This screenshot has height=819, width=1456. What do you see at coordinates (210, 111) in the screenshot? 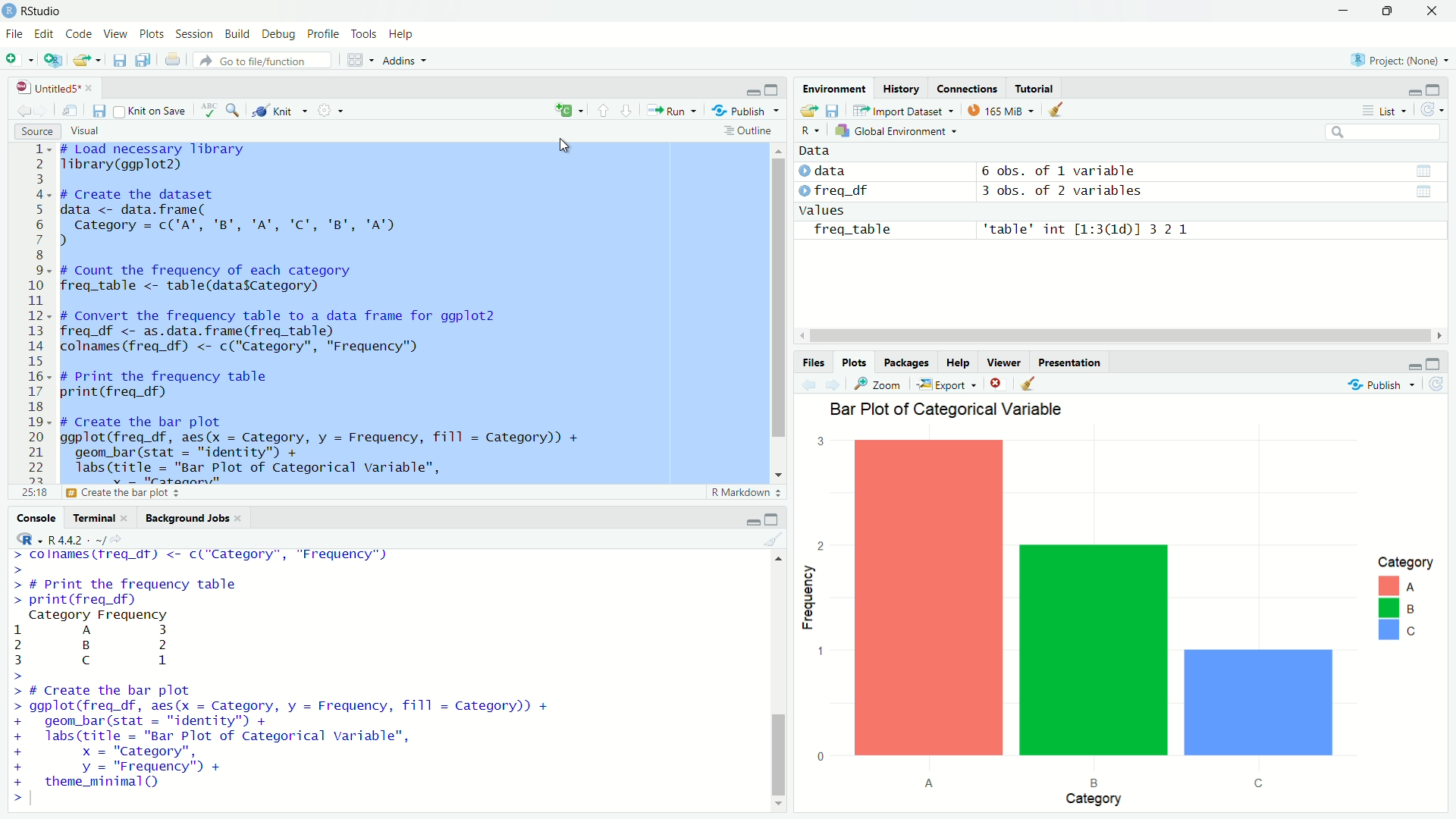
I see `spelling check` at bounding box center [210, 111].